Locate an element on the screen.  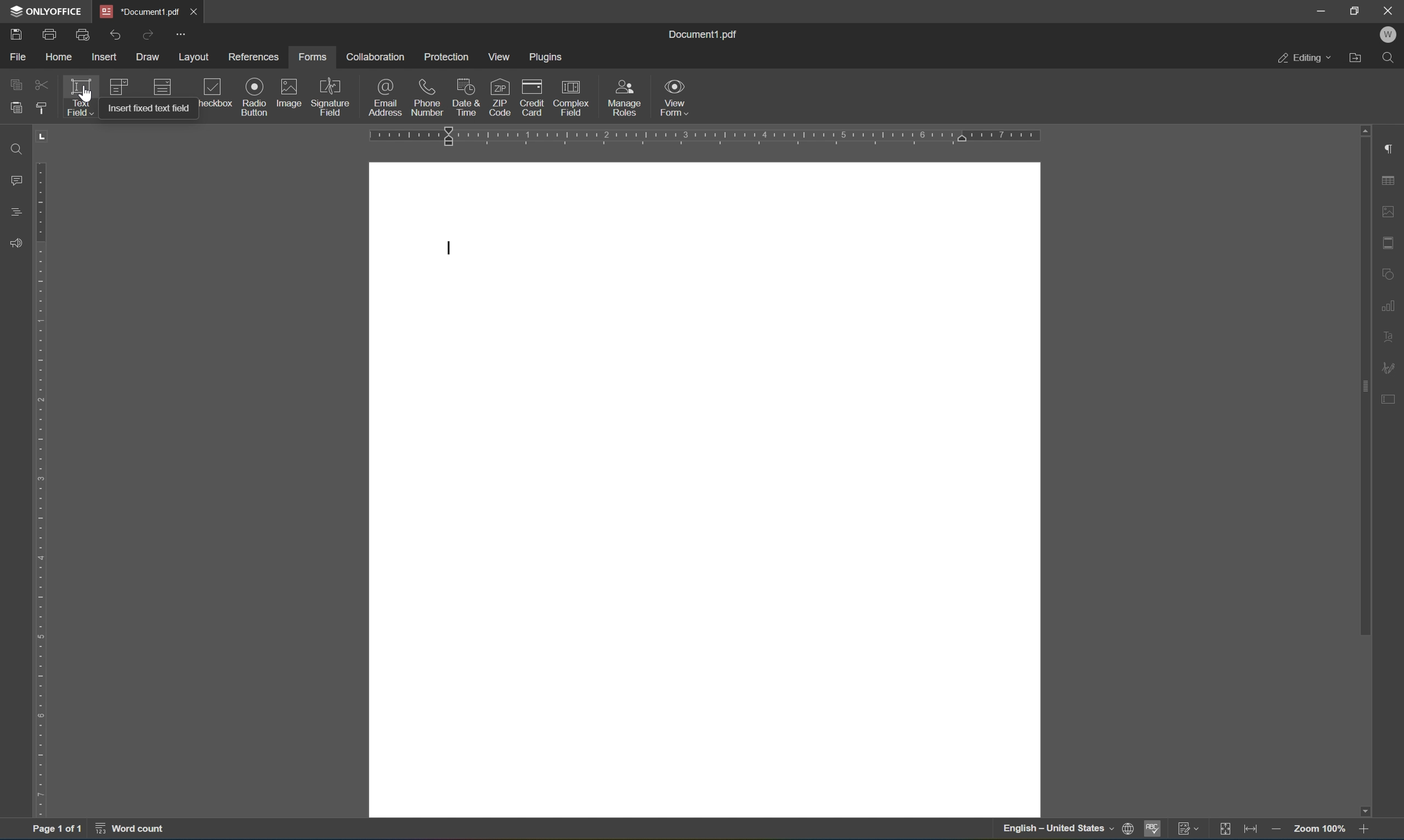
paste is located at coordinates (16, 105).